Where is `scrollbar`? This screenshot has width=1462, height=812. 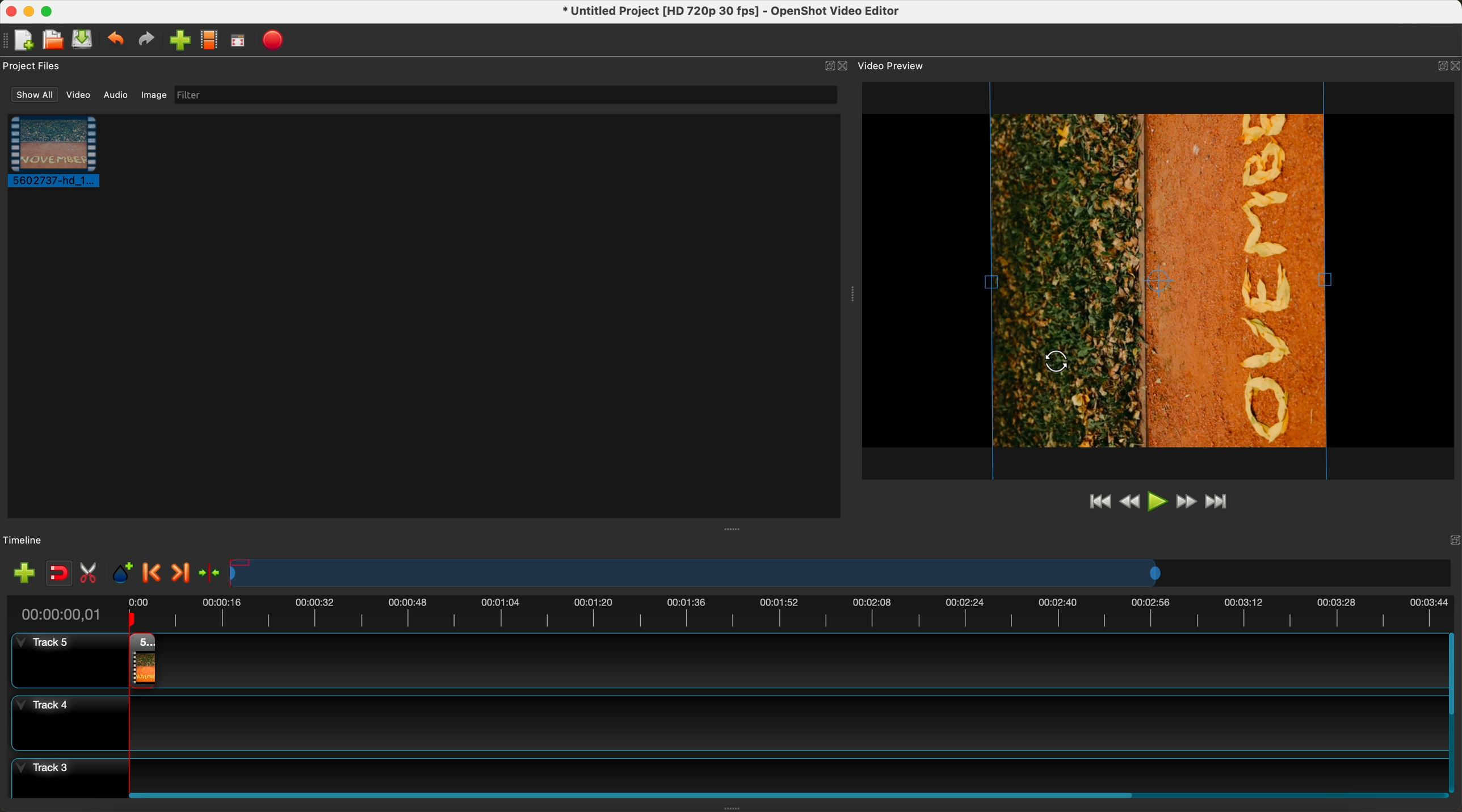
scrollbar is located at coordinates (1453, 711).